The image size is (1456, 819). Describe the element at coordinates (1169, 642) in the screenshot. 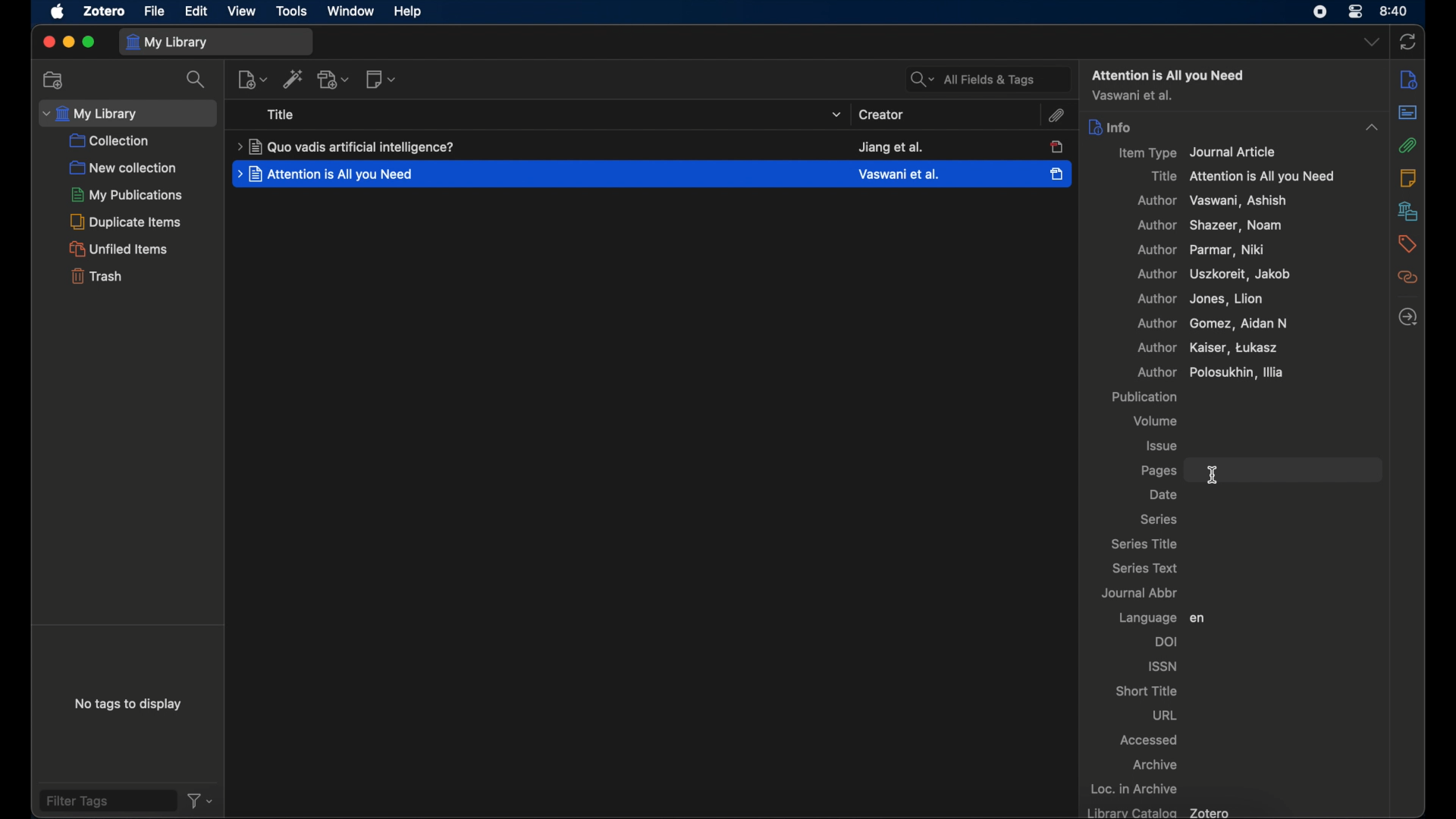

I see `doi` at that location.